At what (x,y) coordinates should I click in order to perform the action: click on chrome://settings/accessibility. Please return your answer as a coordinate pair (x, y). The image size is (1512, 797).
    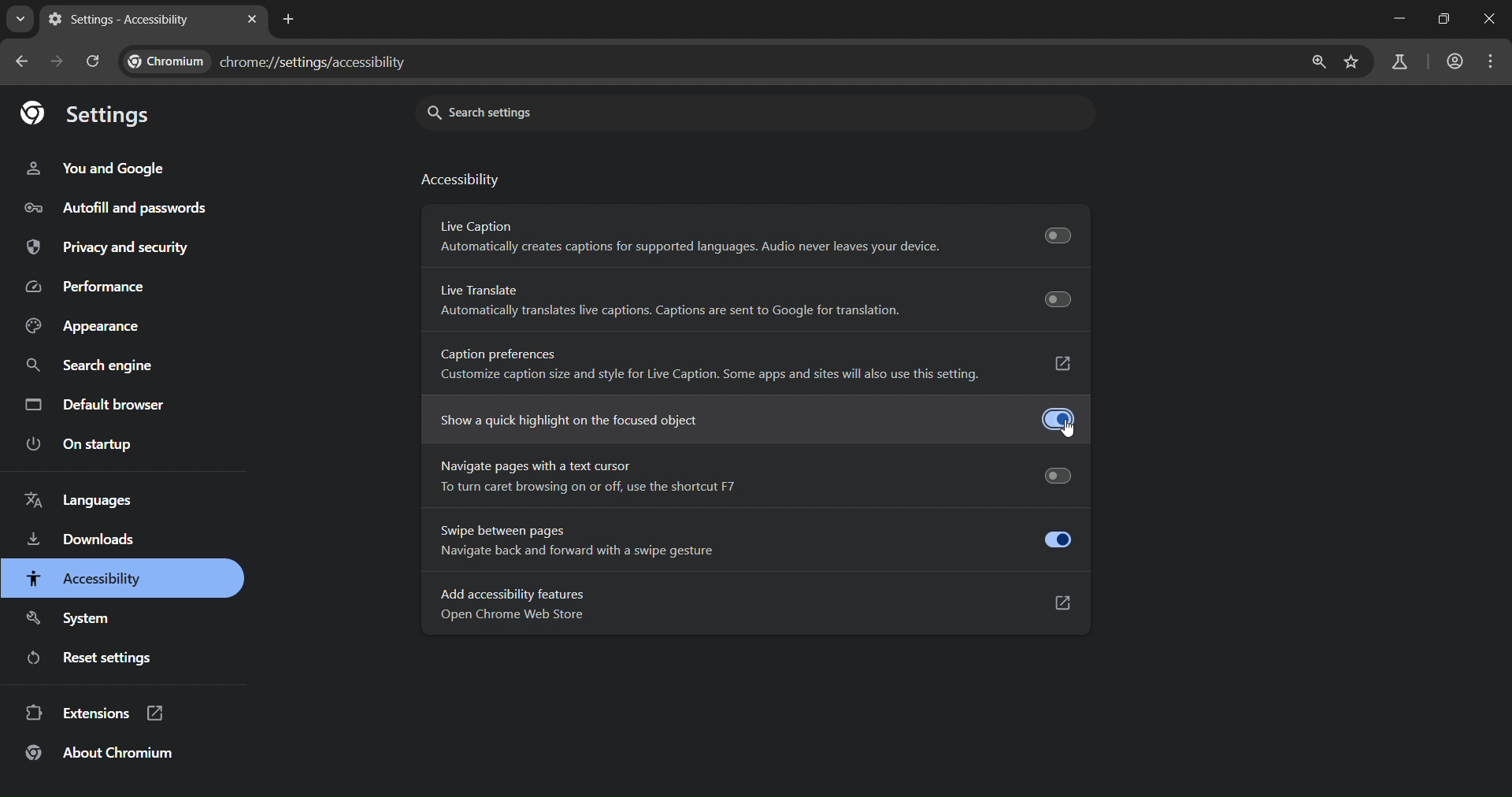
    Looking at the image, I should click on (266, 61).